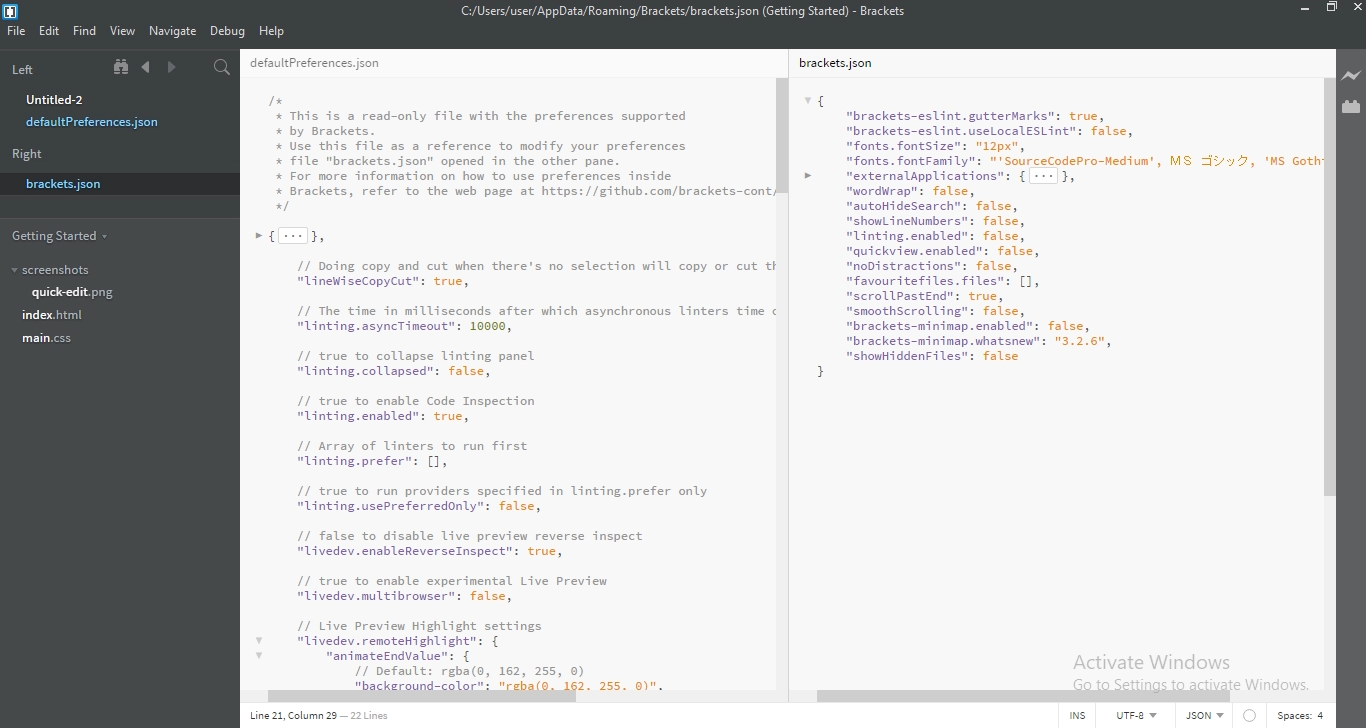 The image size is (1366, 728). I want to click on previous document, so click(147, 68).